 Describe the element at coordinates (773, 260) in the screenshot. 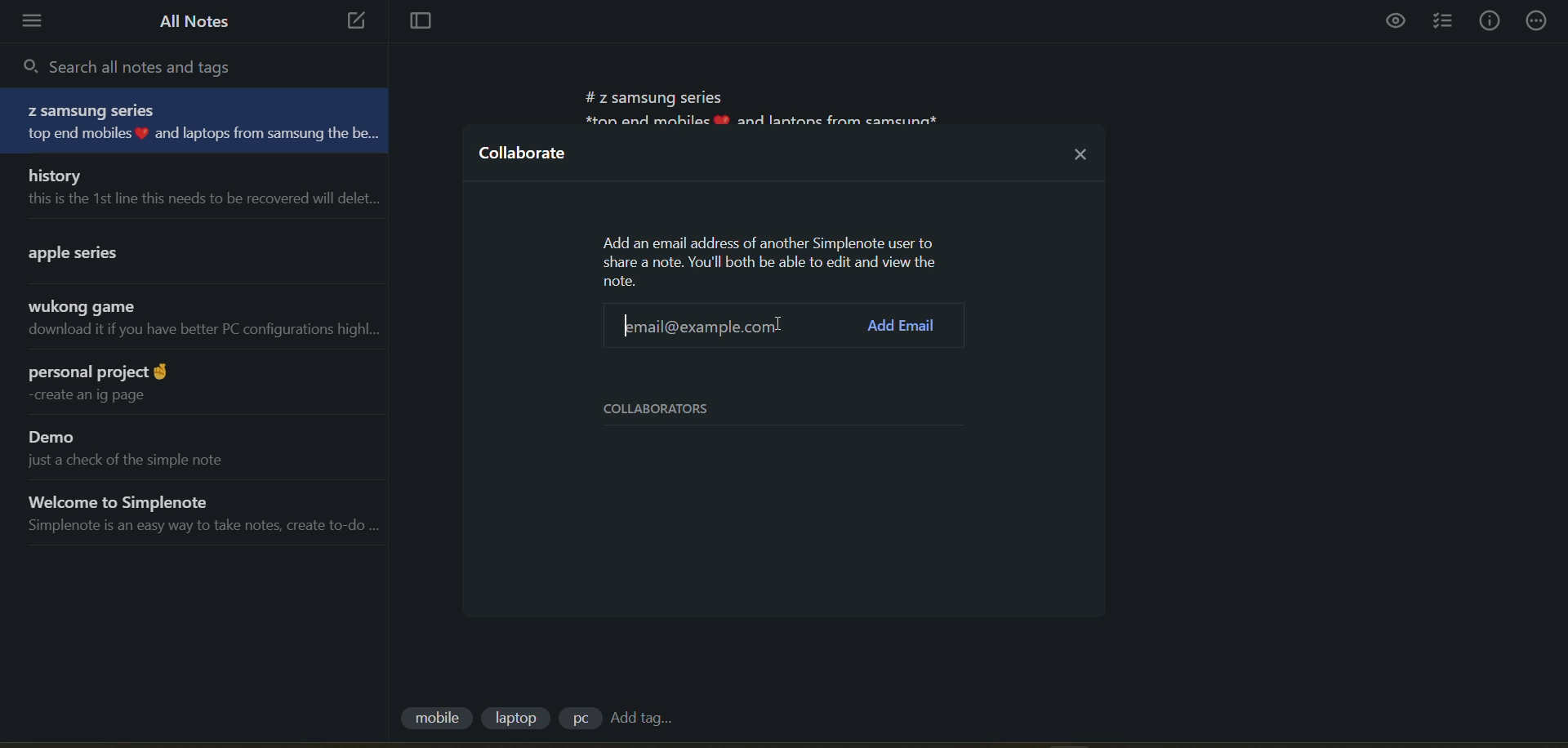

I see `metadata` at that location.